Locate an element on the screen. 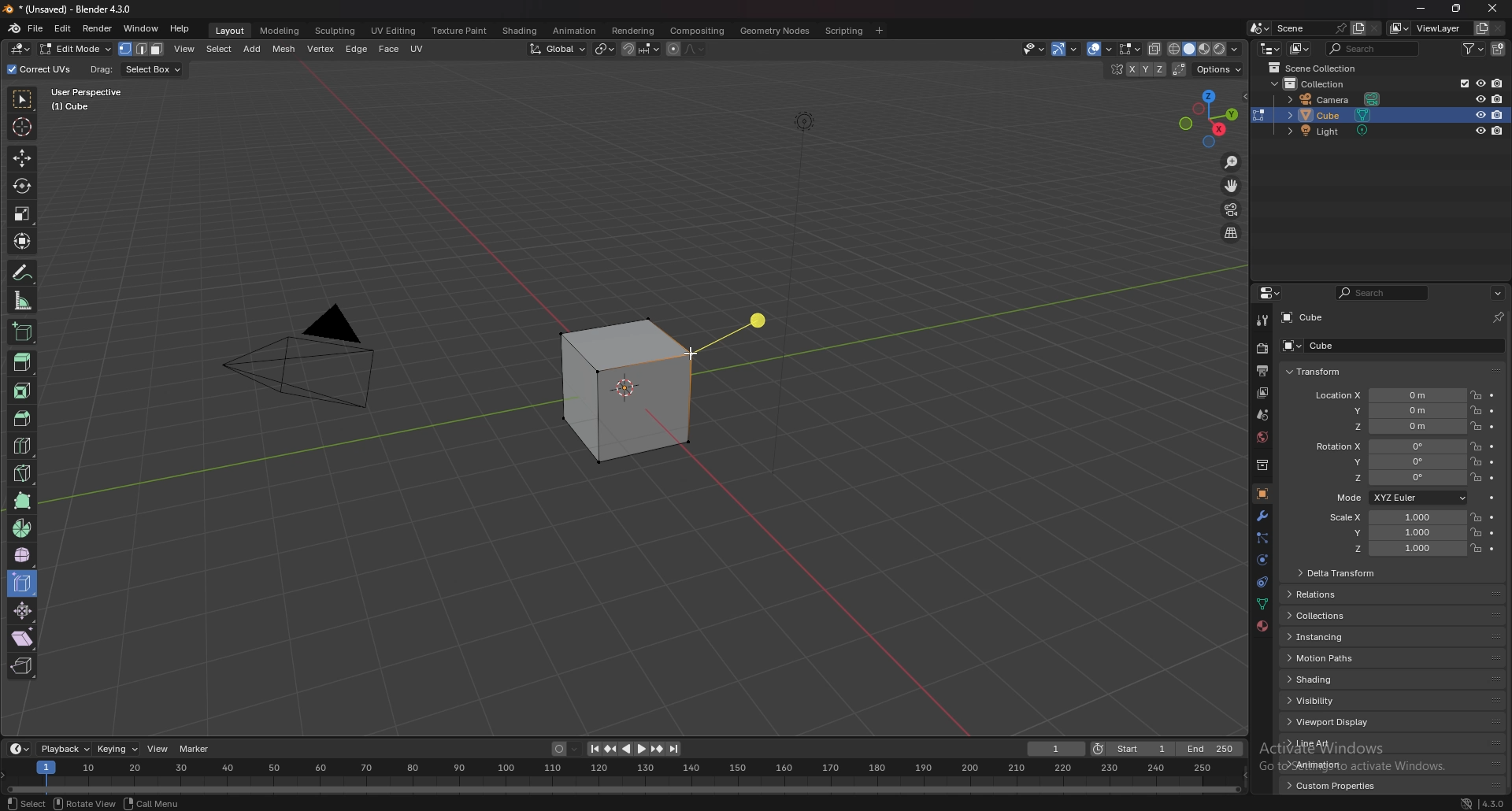 The image size is (1512, 811). lock is located at coordinates (1476, 394).